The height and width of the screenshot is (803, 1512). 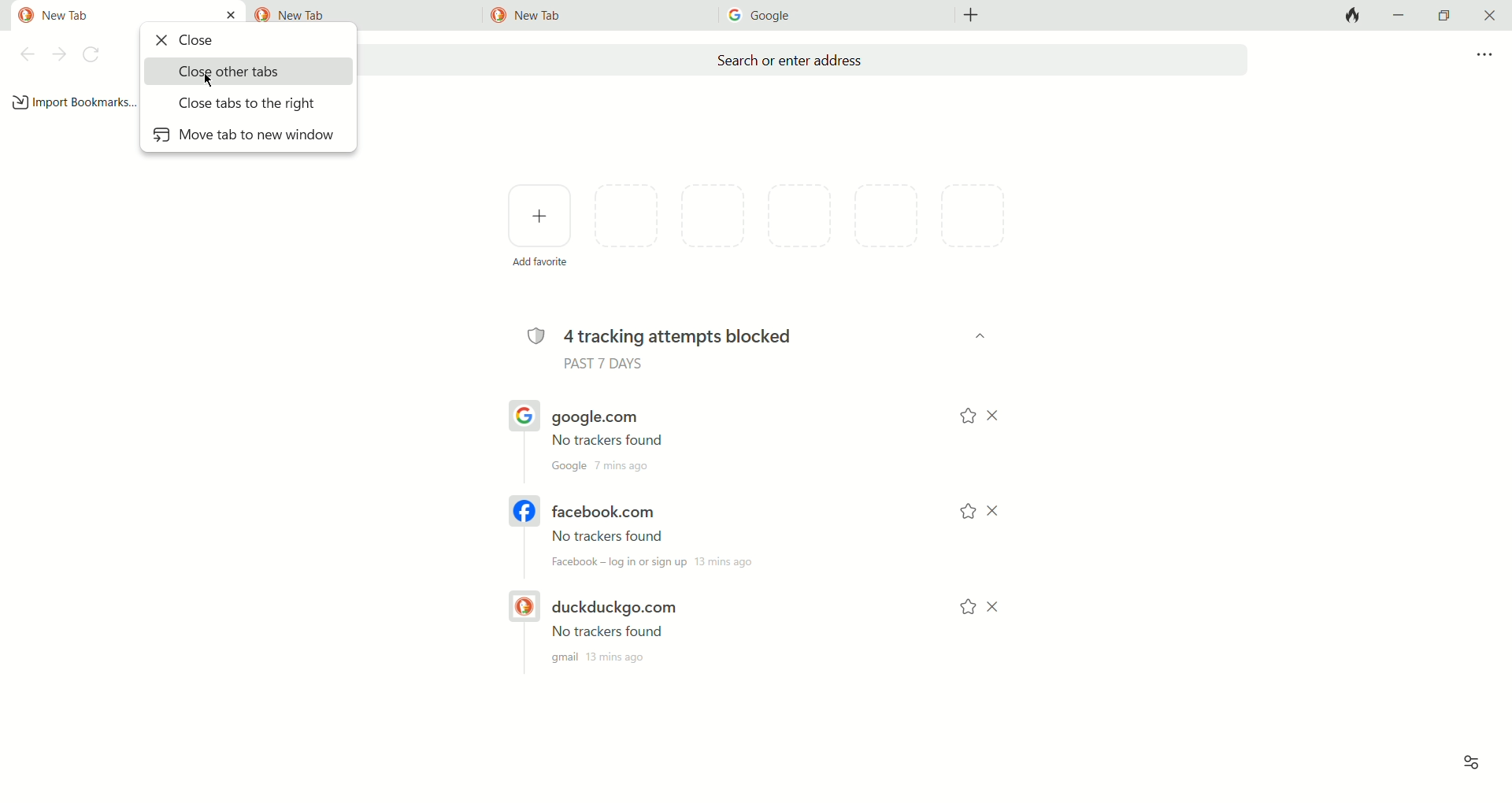 What do you see at coordinates (592, 14) in the screenshot?
I see `tab3` at bounding box center [592, 14].